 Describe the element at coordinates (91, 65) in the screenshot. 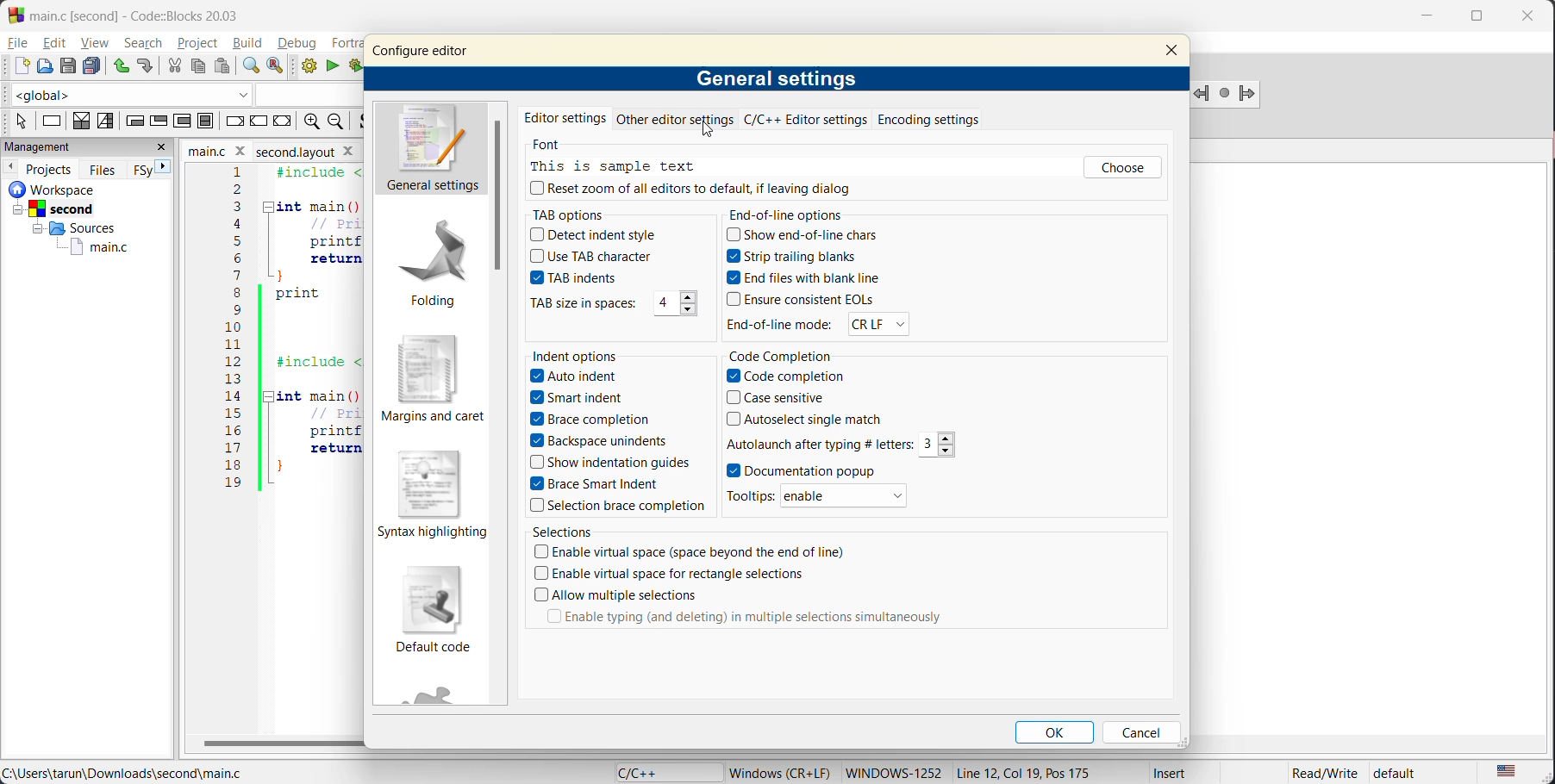

I see `save everything` at that location.